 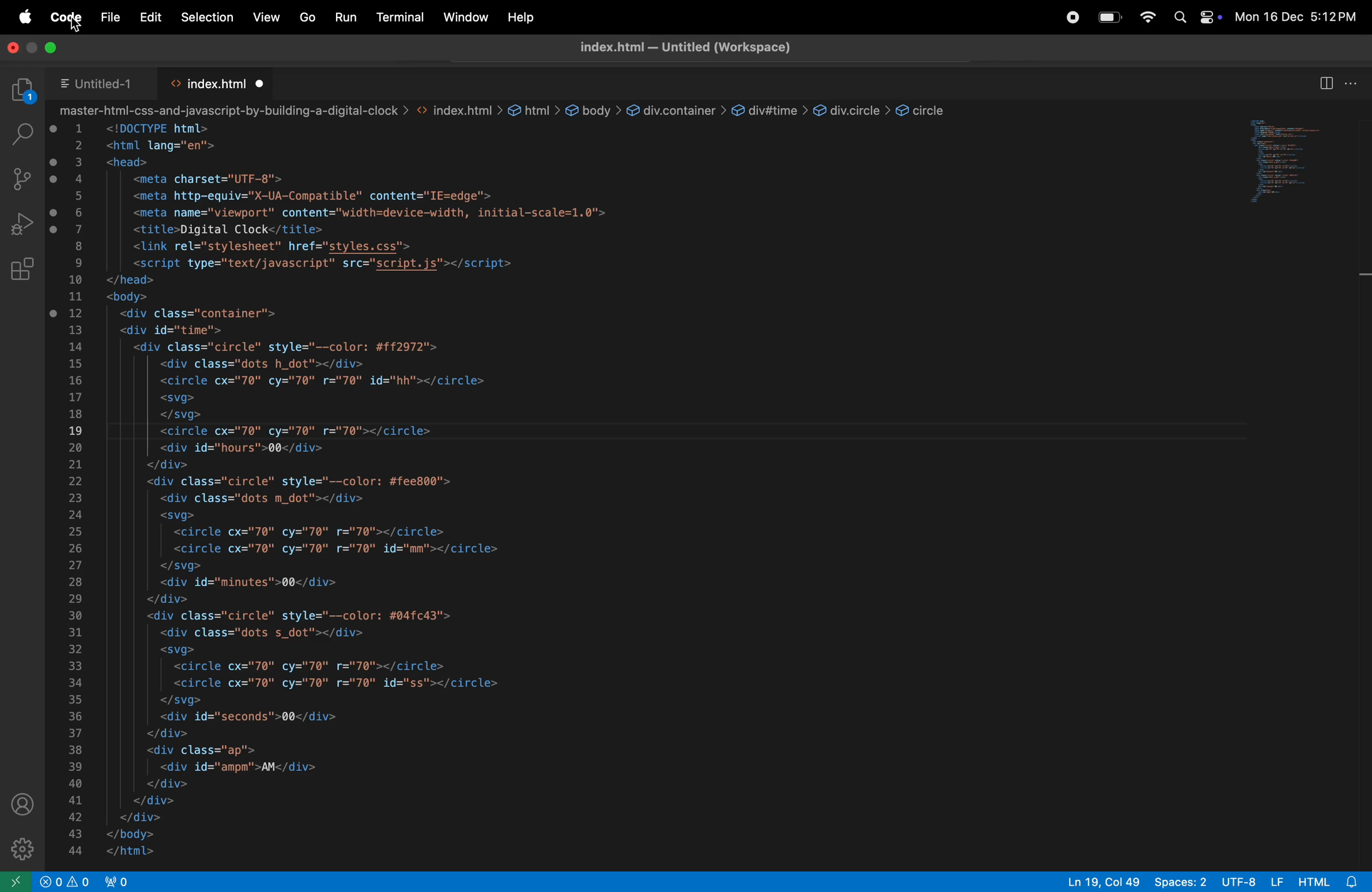 I want to click on </div>, so click(x=168, y=735).